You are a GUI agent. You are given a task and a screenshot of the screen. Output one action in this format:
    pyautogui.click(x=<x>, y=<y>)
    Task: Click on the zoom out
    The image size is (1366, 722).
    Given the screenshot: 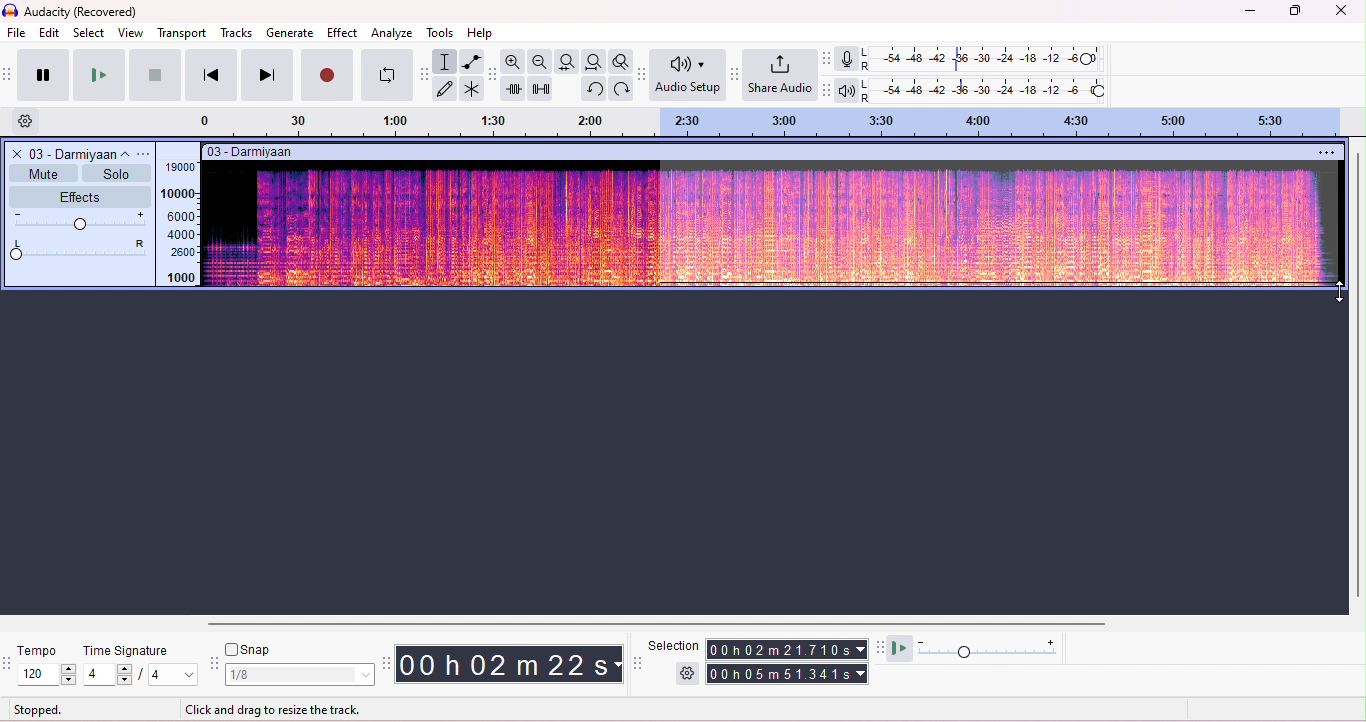 What is the action you would take?
    pyautogui.click(x=541, y=61)
    